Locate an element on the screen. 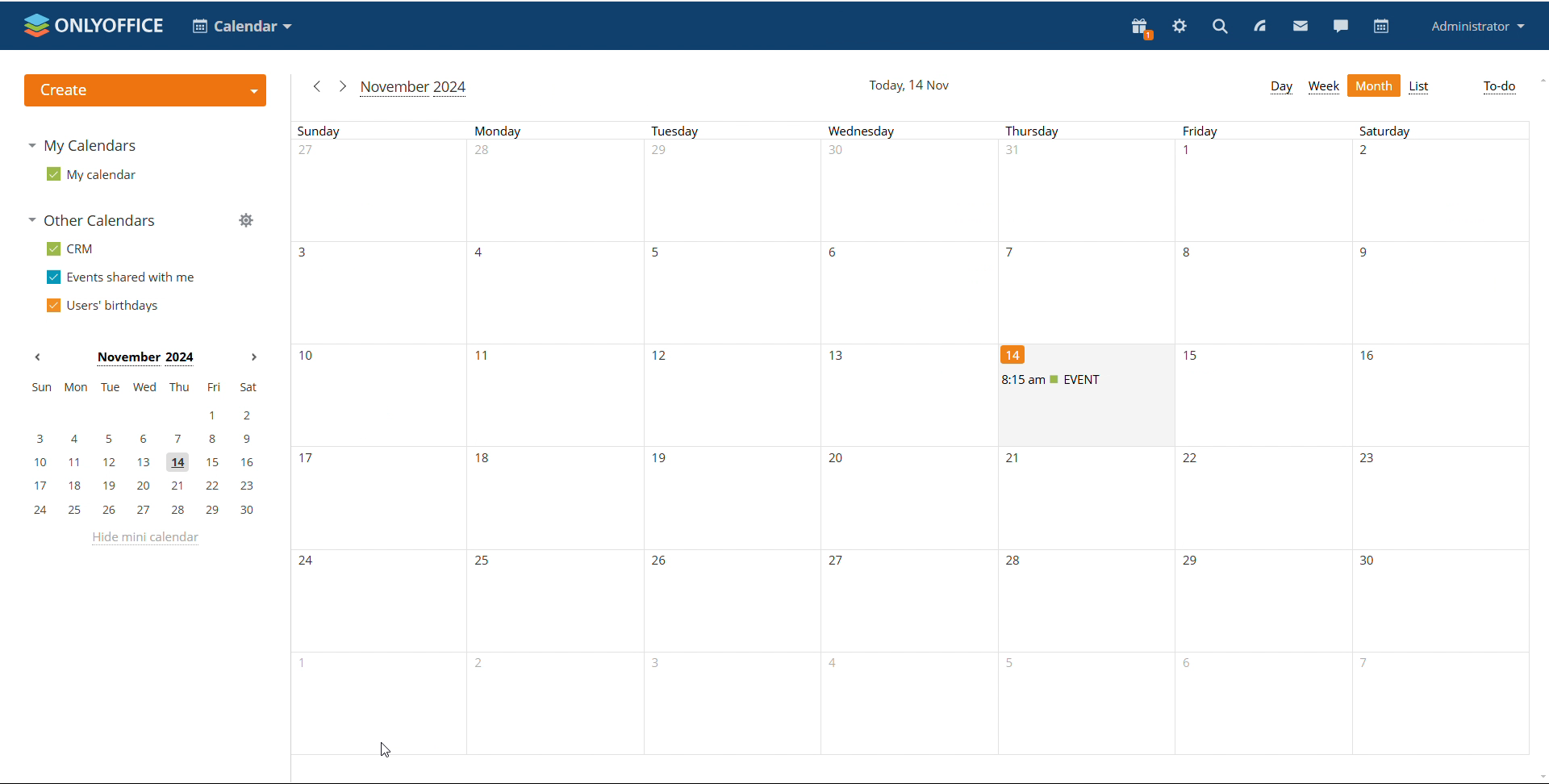 The image size is (1549, 784). list view is located at coordinates (1421, 87).